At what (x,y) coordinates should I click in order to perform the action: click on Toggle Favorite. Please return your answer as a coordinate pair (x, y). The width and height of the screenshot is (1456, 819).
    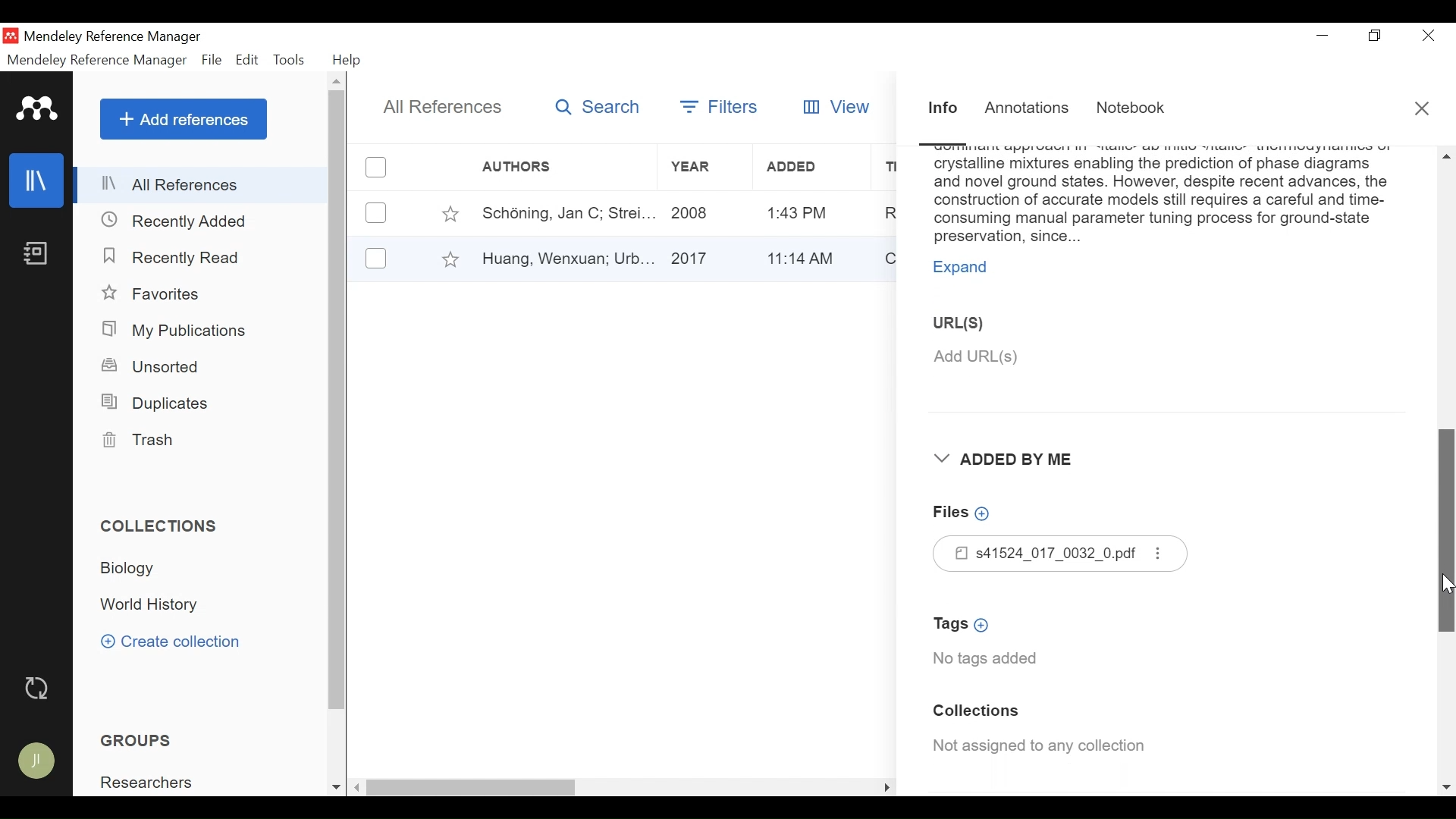
    Looking at the image, I should click on (450, 213).